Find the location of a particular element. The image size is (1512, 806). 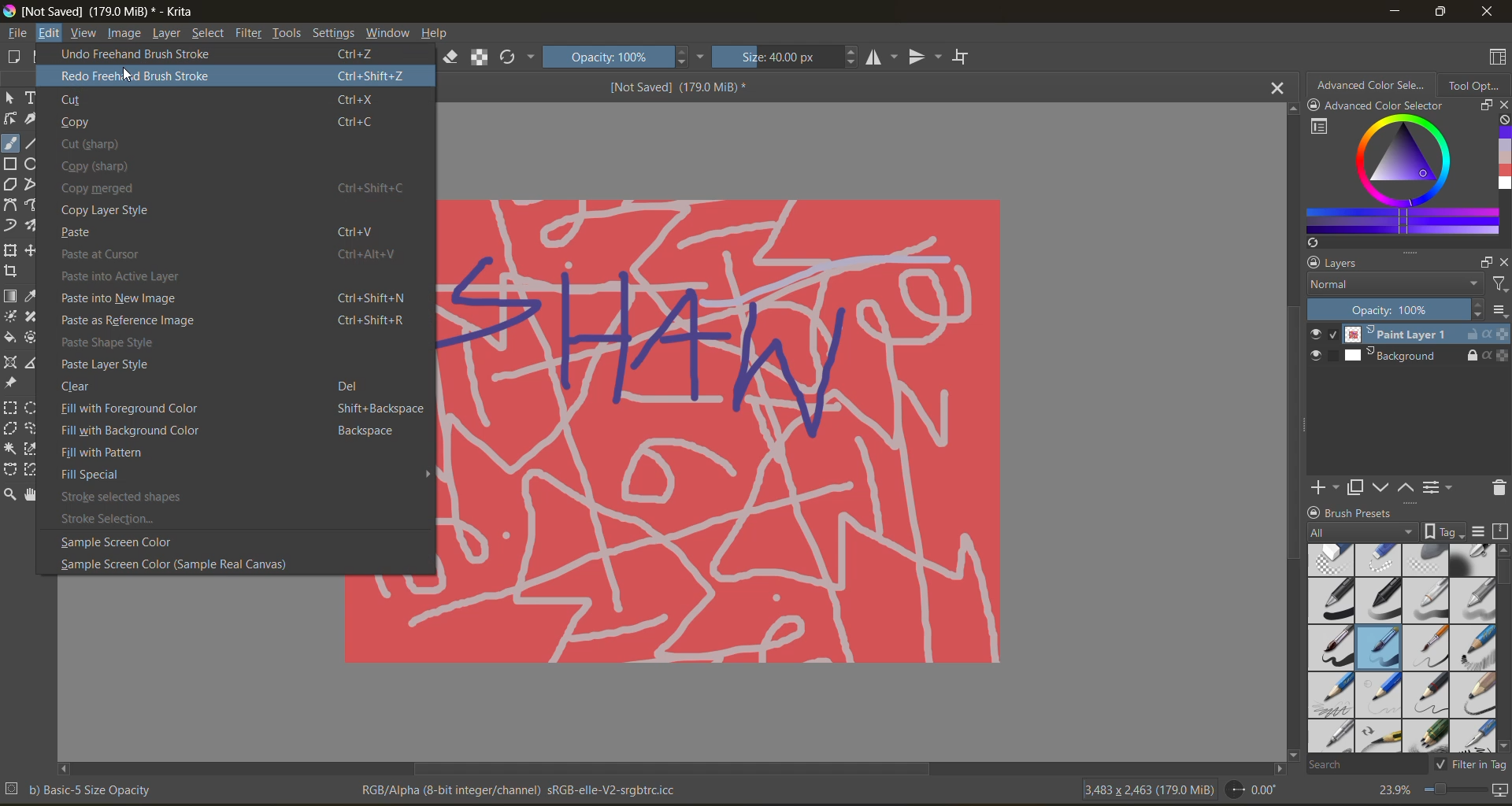

polygon tool is located at coordinates (10, 184).